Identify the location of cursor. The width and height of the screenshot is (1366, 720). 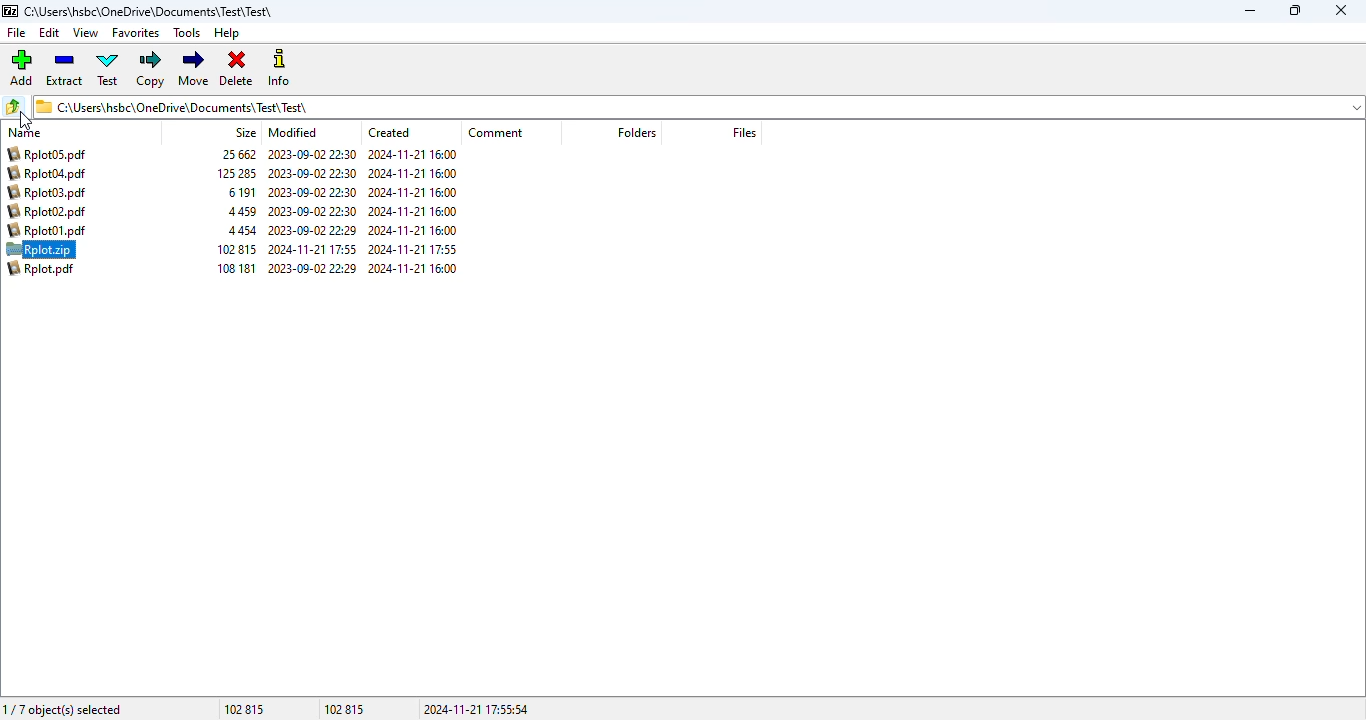
(25, 120).